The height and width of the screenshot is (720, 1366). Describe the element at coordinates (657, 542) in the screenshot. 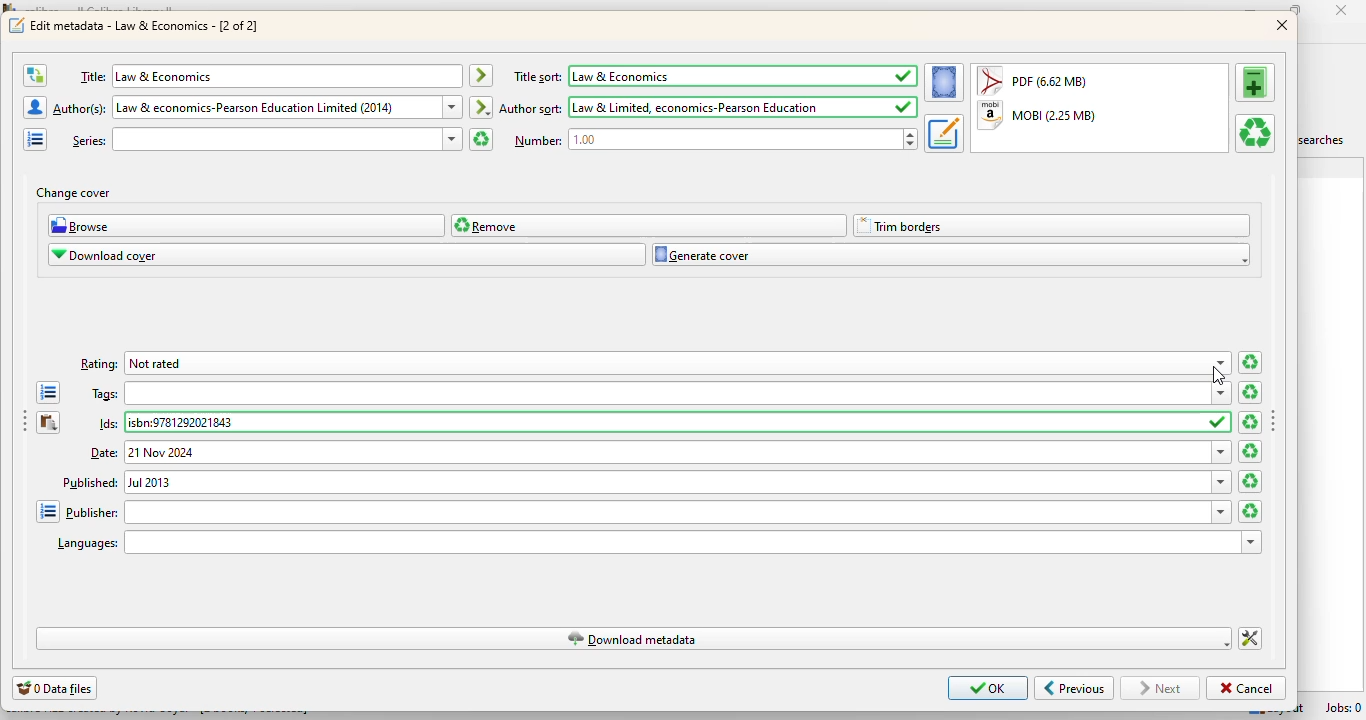

I see `languages: ` at that location.